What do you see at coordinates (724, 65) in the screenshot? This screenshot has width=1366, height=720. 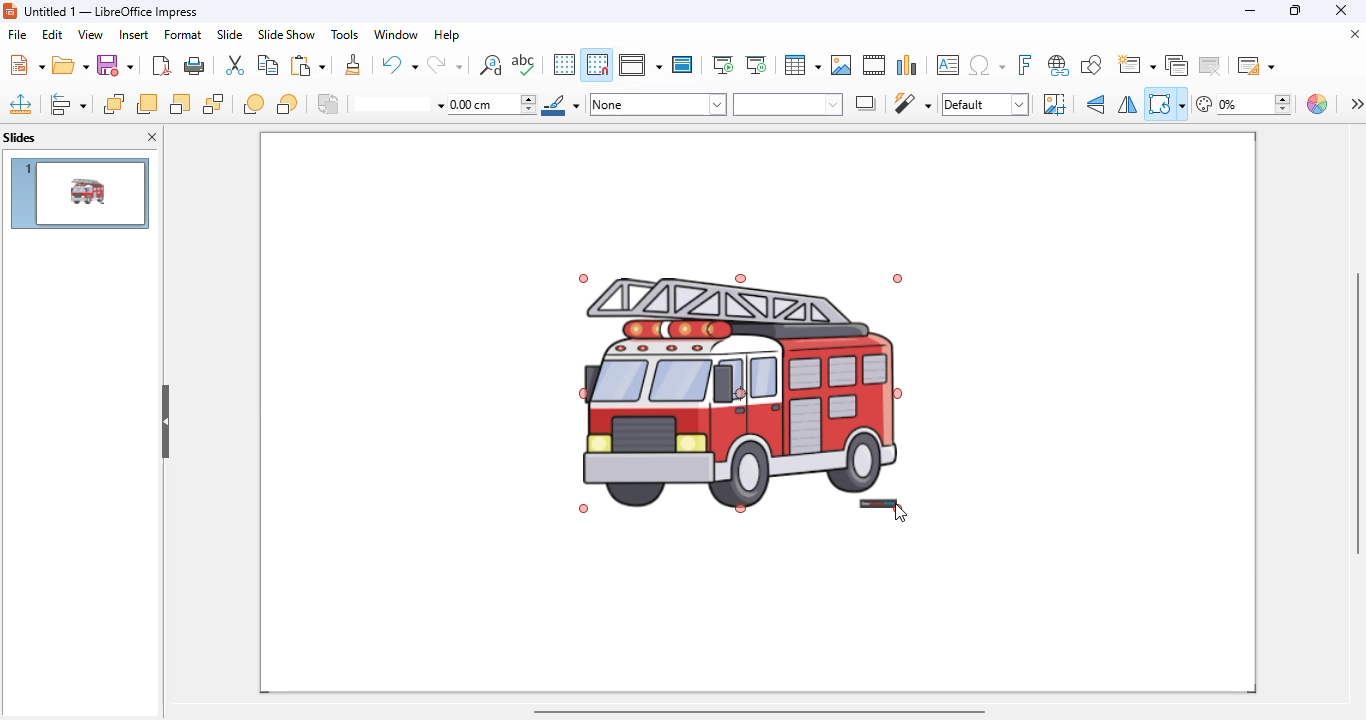 I see `start from first slide` at bounding box center [724, 65].